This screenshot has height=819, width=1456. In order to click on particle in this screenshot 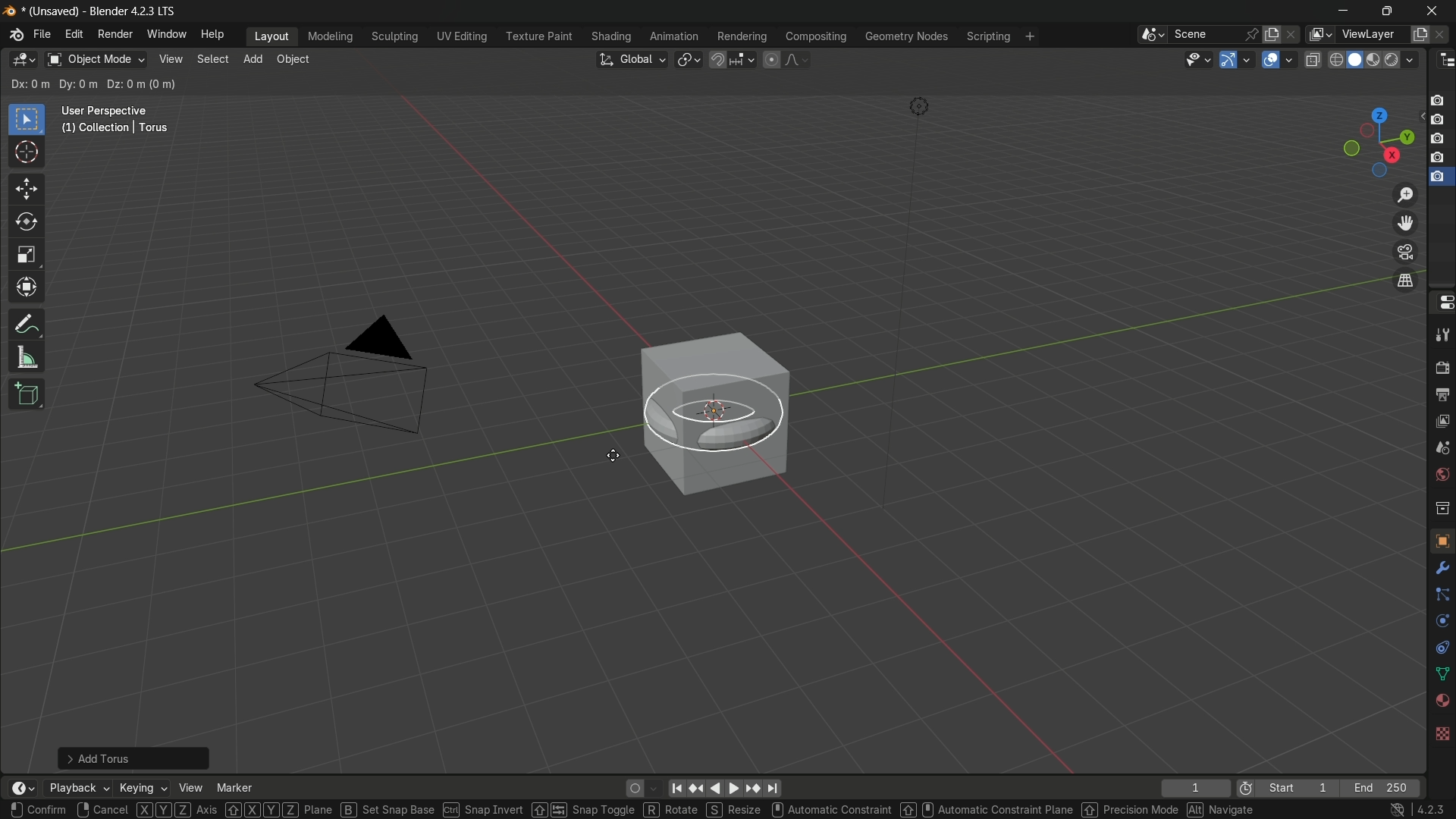, I will do `click(1441, 596)`.